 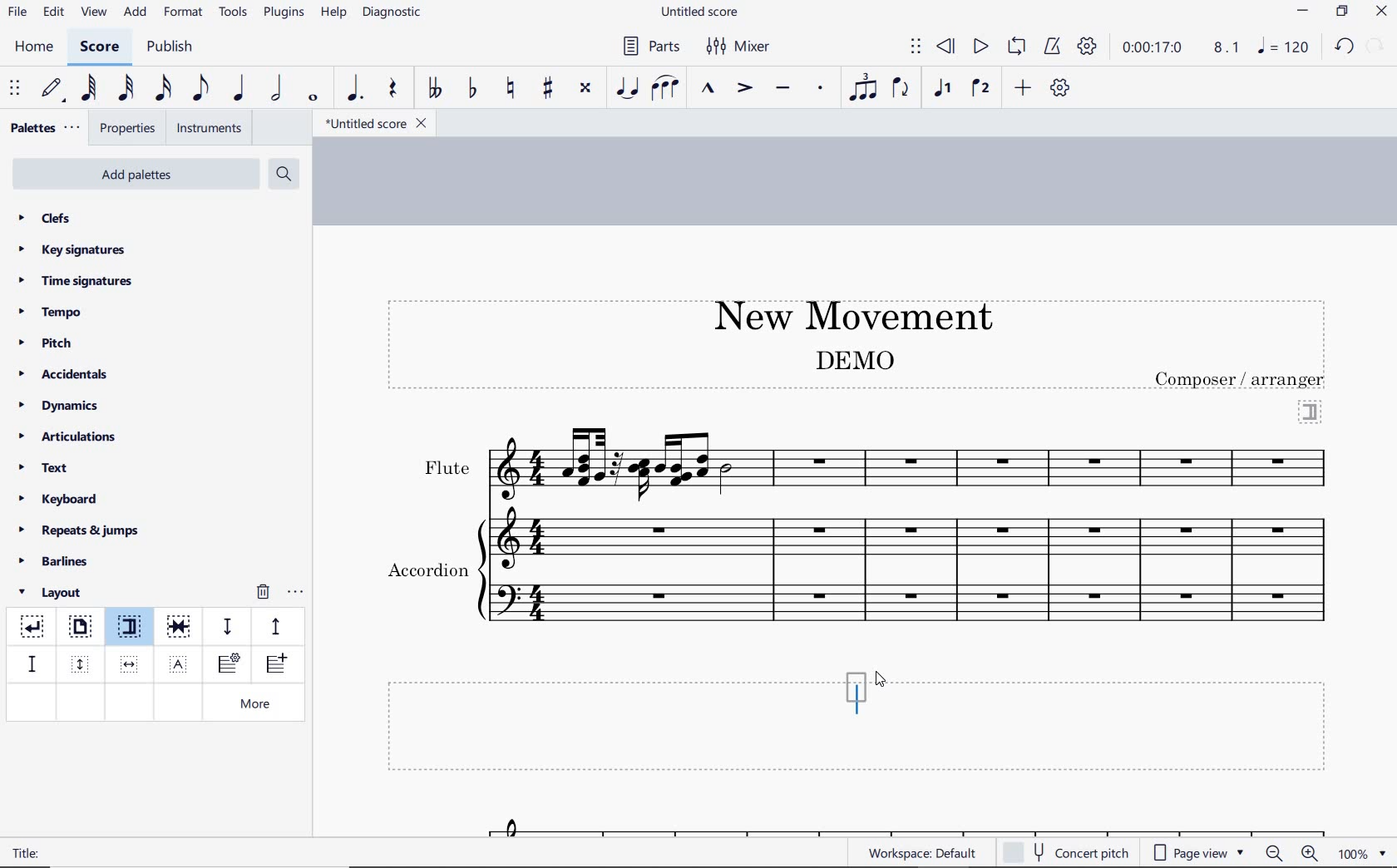 What do you see at coordinates (920, 852) in the screenshot?
I see `workspace: default` at bounding box center [920, 852].